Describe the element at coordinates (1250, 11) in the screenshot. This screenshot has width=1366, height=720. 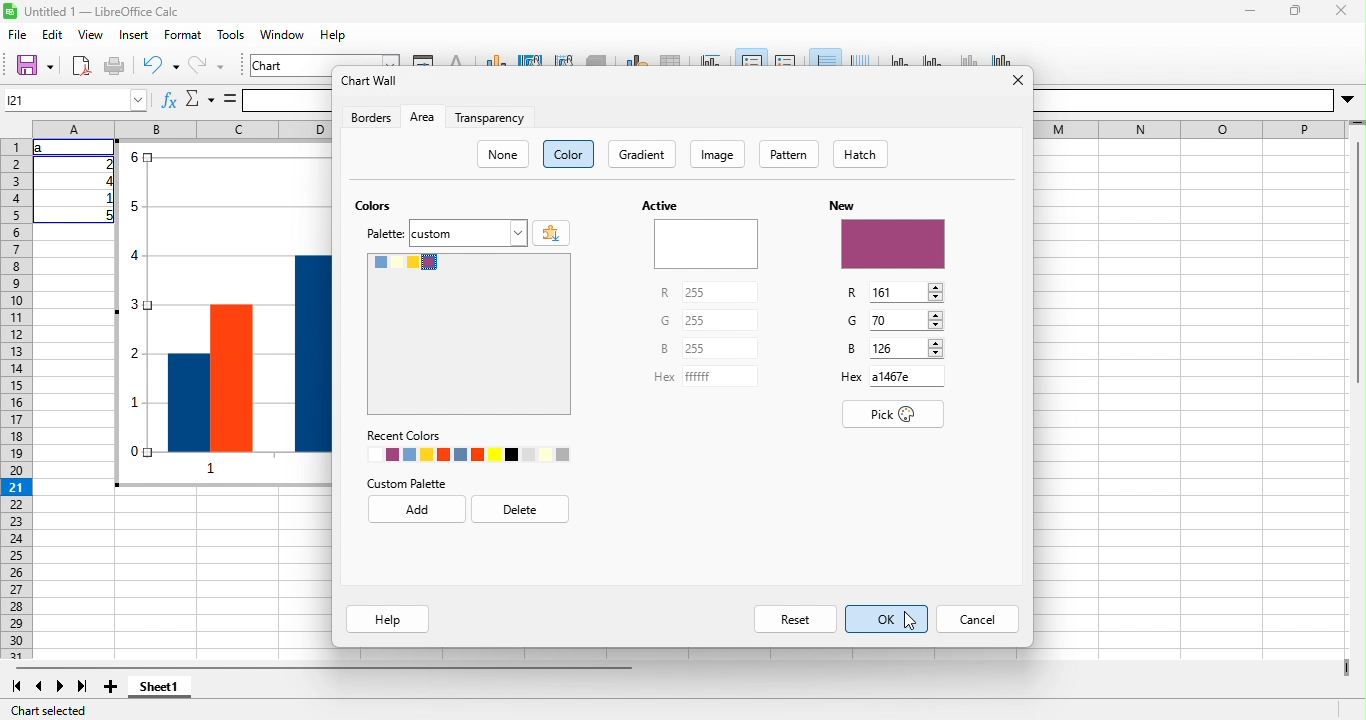
I see `minimize` at that location.